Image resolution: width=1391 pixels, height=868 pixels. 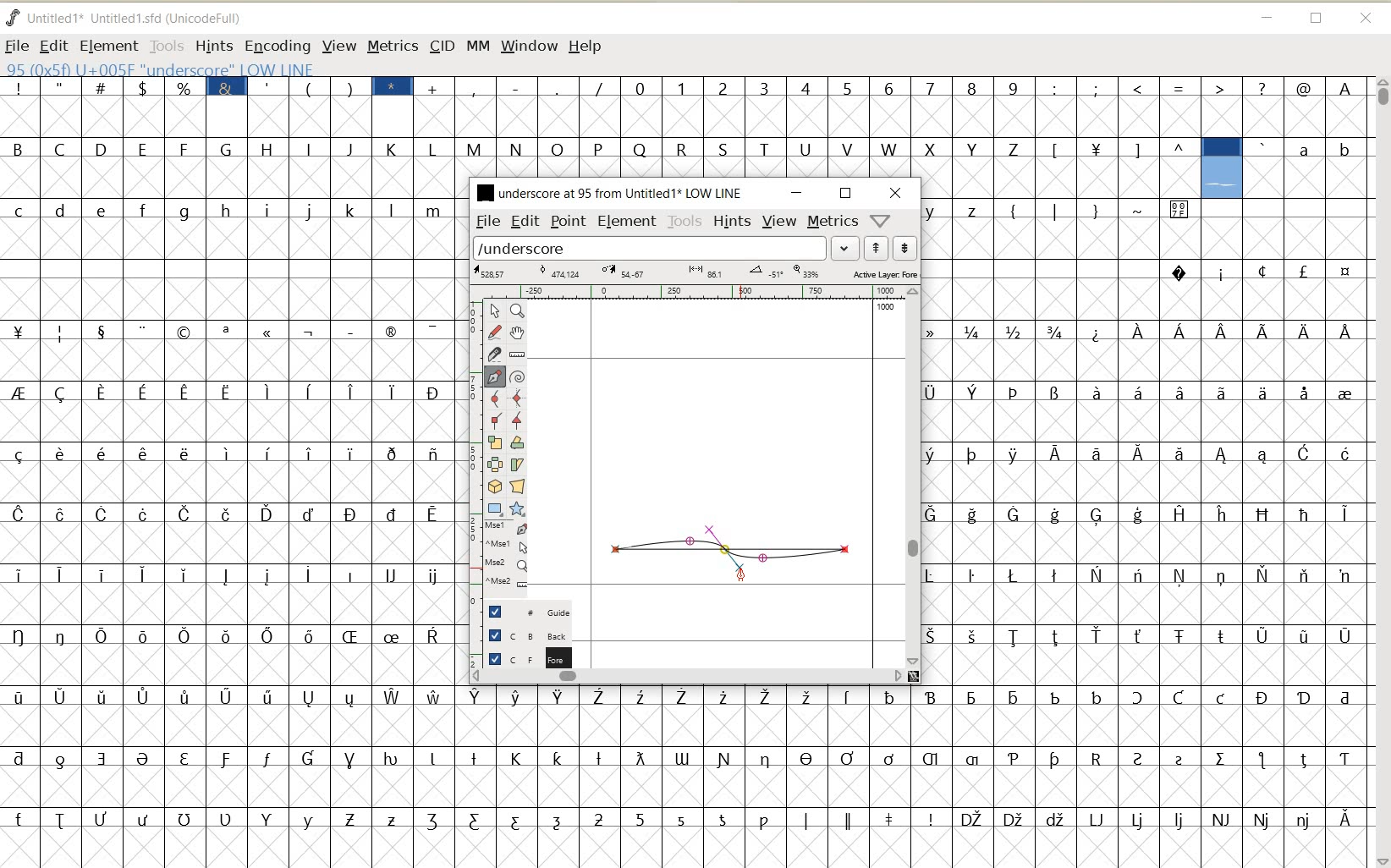 I want to click on glyph selected, so click(x=1222, y=168).